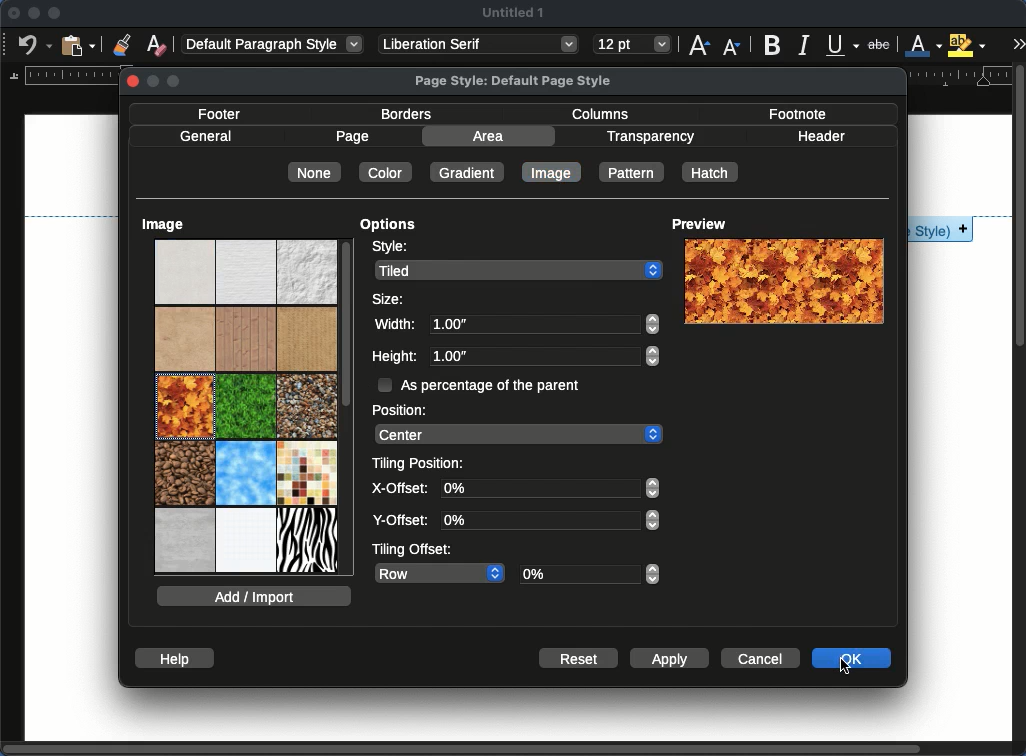 This screenshot has height=756, width=1026. What do you see at coordinates (402, 490) in the screenshot?
I see `x-offset:` at bounding box center [402, 490].